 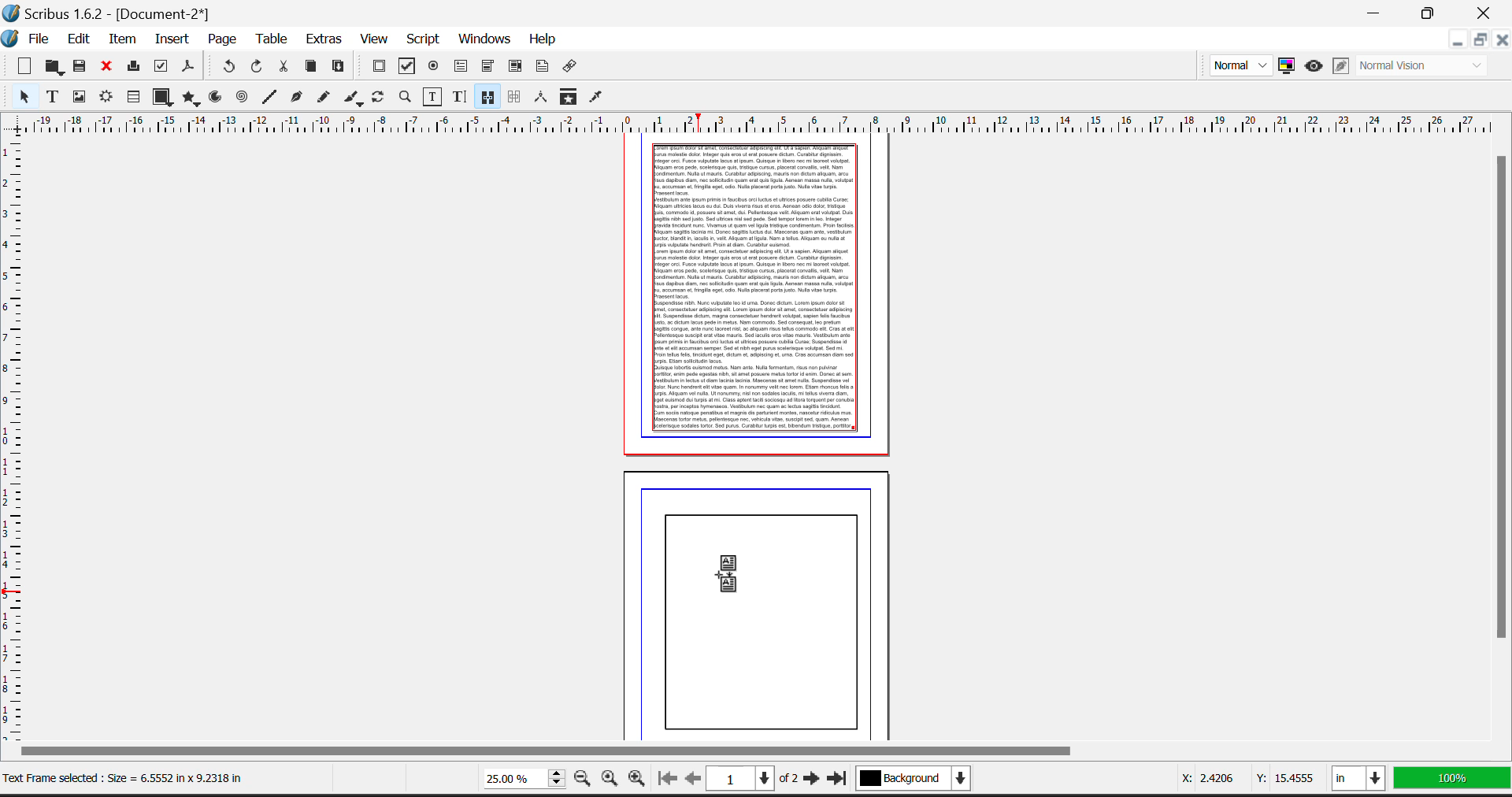 What do you see at coordinates (756, 288) in the screenshot?
I see `Page 1 Text Frame Selected` at bounding box center [756, 288].